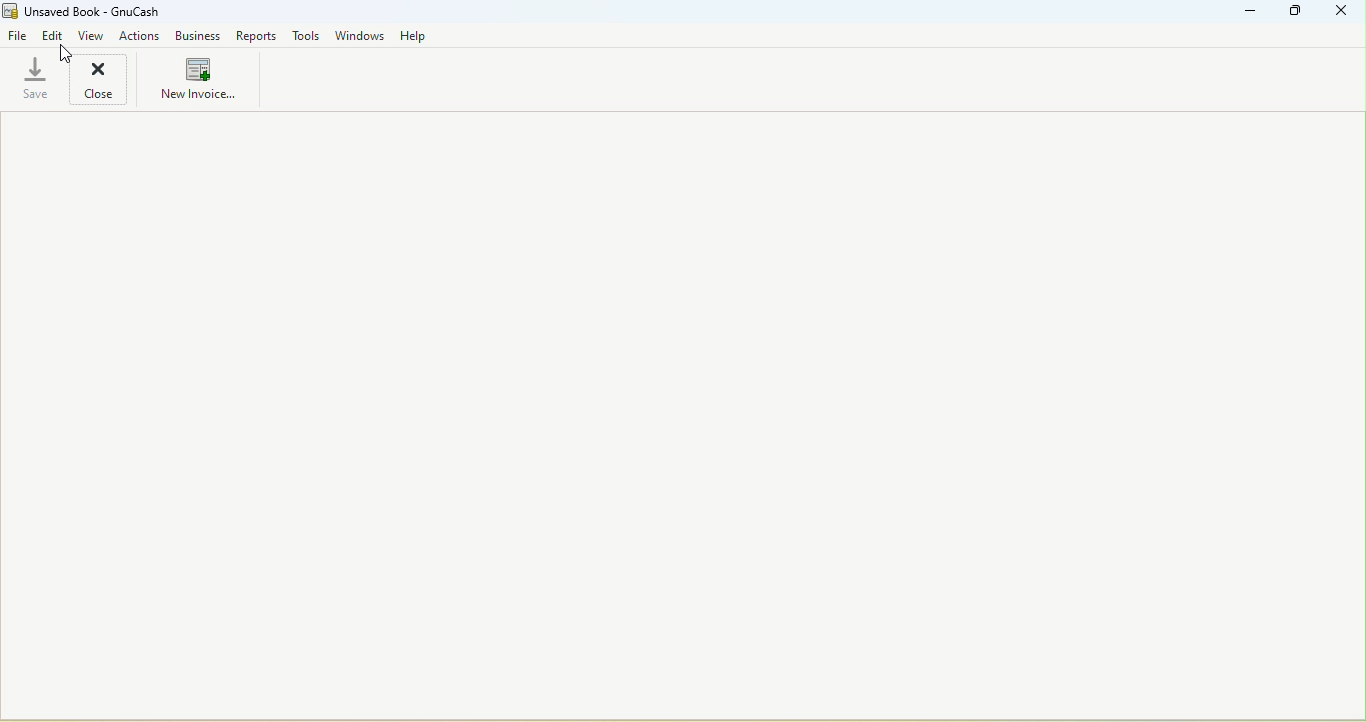 This screenshot has width=1366, height=722. What do you see at coordinates (308, 35) in the screenshot?
I see `Tools` at bounding box center [308, 35].